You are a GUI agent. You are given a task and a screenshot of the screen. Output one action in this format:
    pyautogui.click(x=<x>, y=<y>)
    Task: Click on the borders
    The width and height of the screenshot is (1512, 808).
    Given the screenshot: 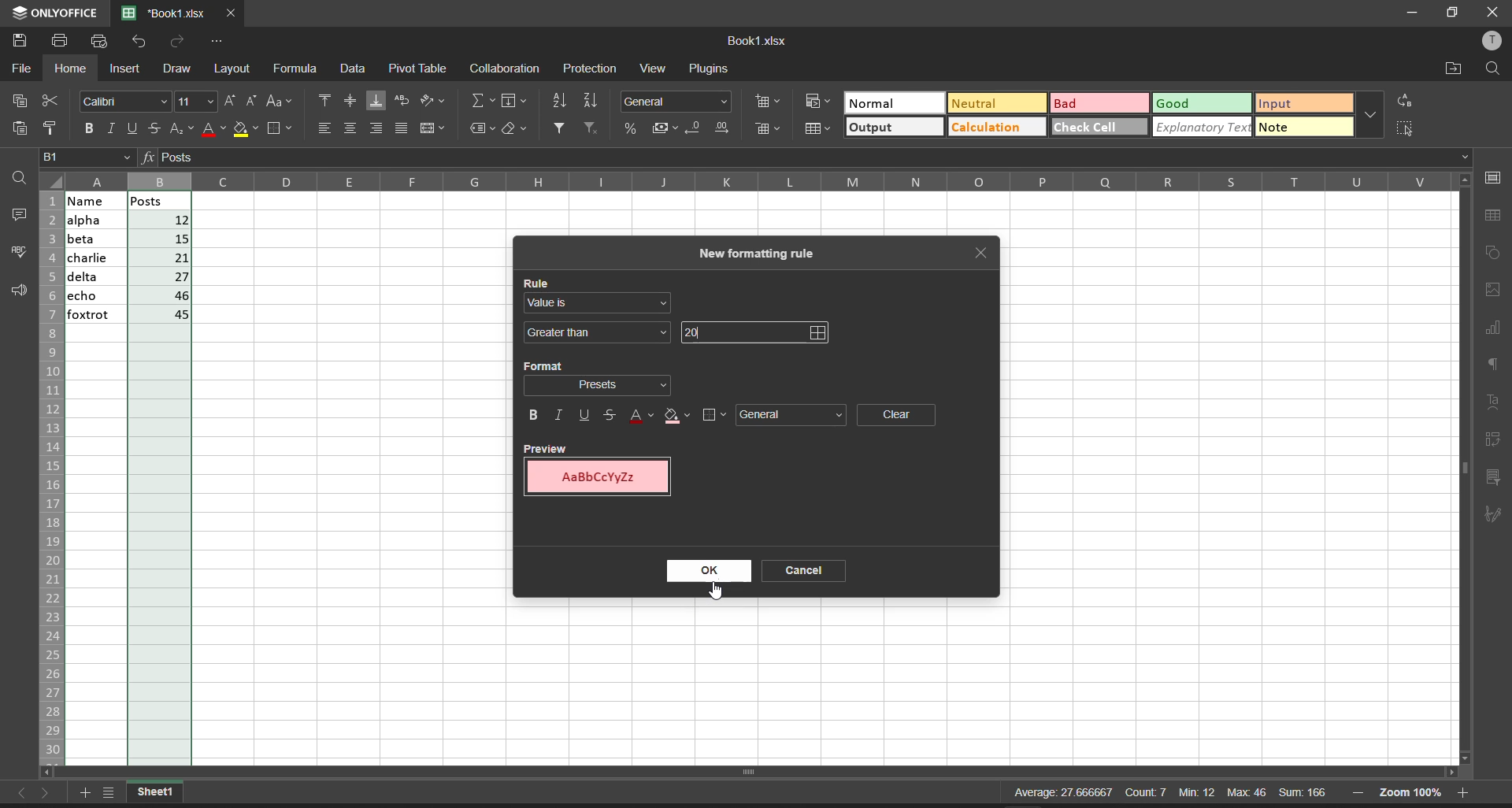 What is the action you would take?
    pyautogui.click(x=711, y=413)
    